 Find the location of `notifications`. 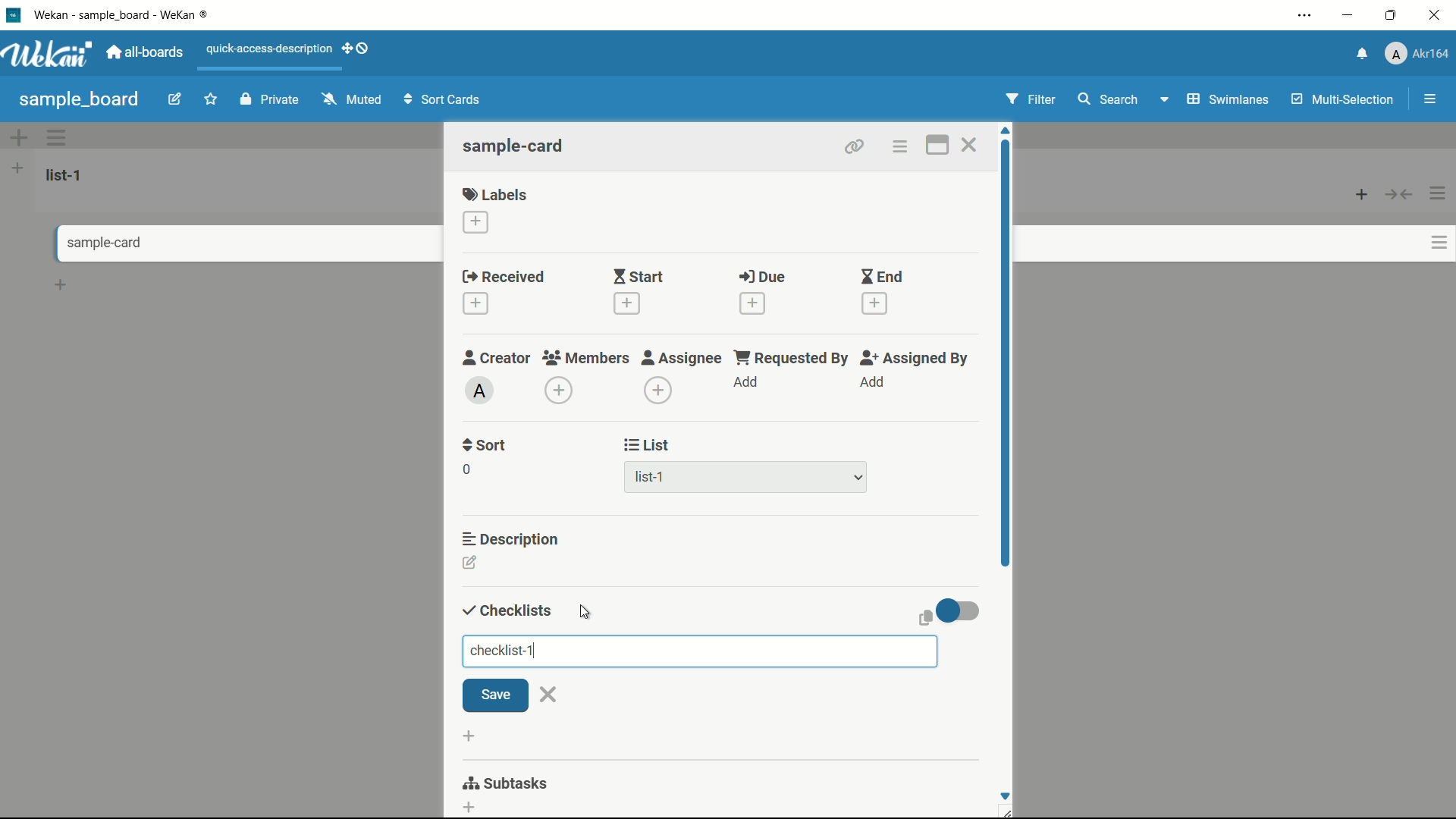

notifications is located at coordinates (1360, 52).